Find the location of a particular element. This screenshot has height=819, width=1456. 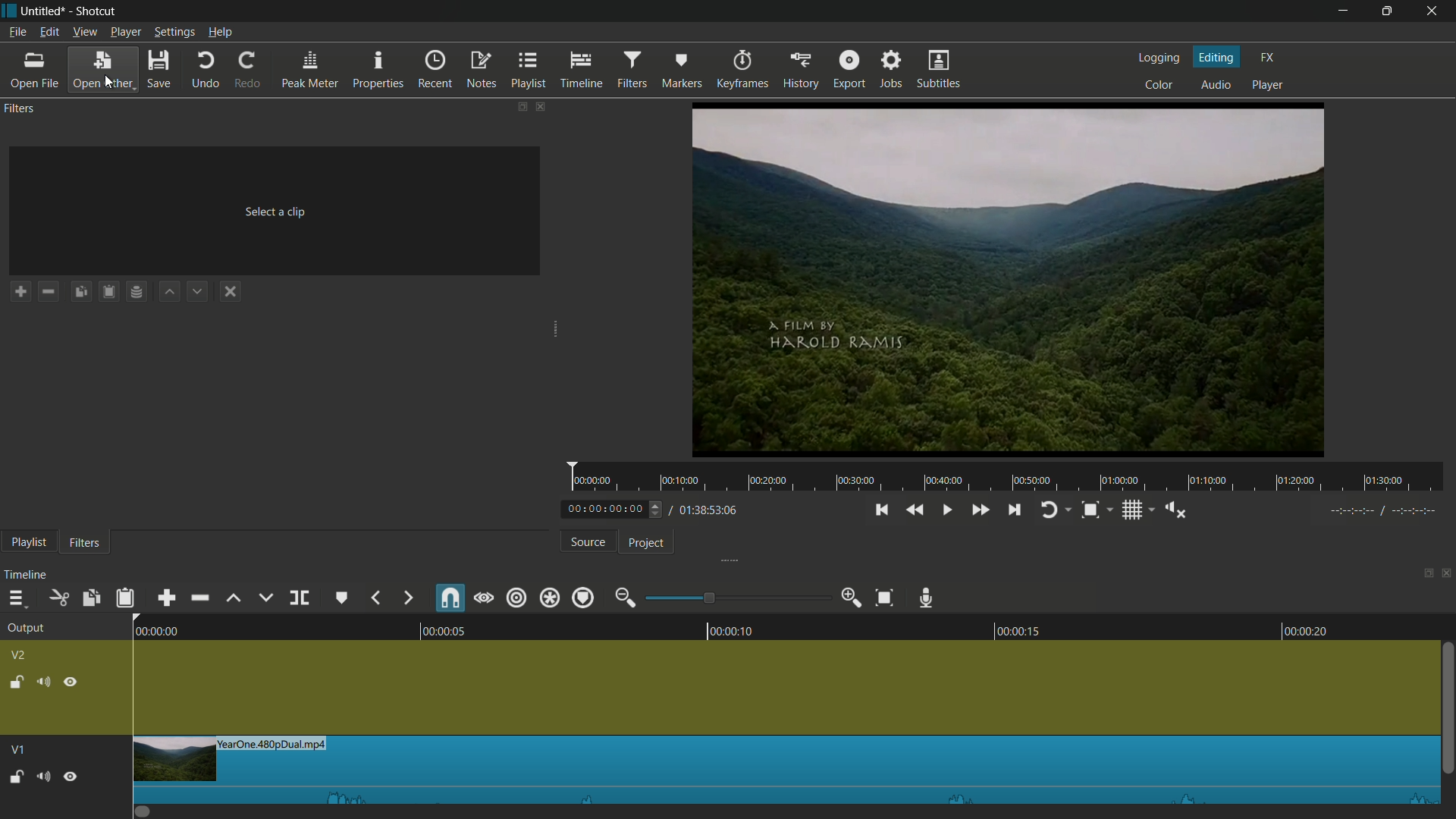

split at playhead is located at coordinates (299, 598).